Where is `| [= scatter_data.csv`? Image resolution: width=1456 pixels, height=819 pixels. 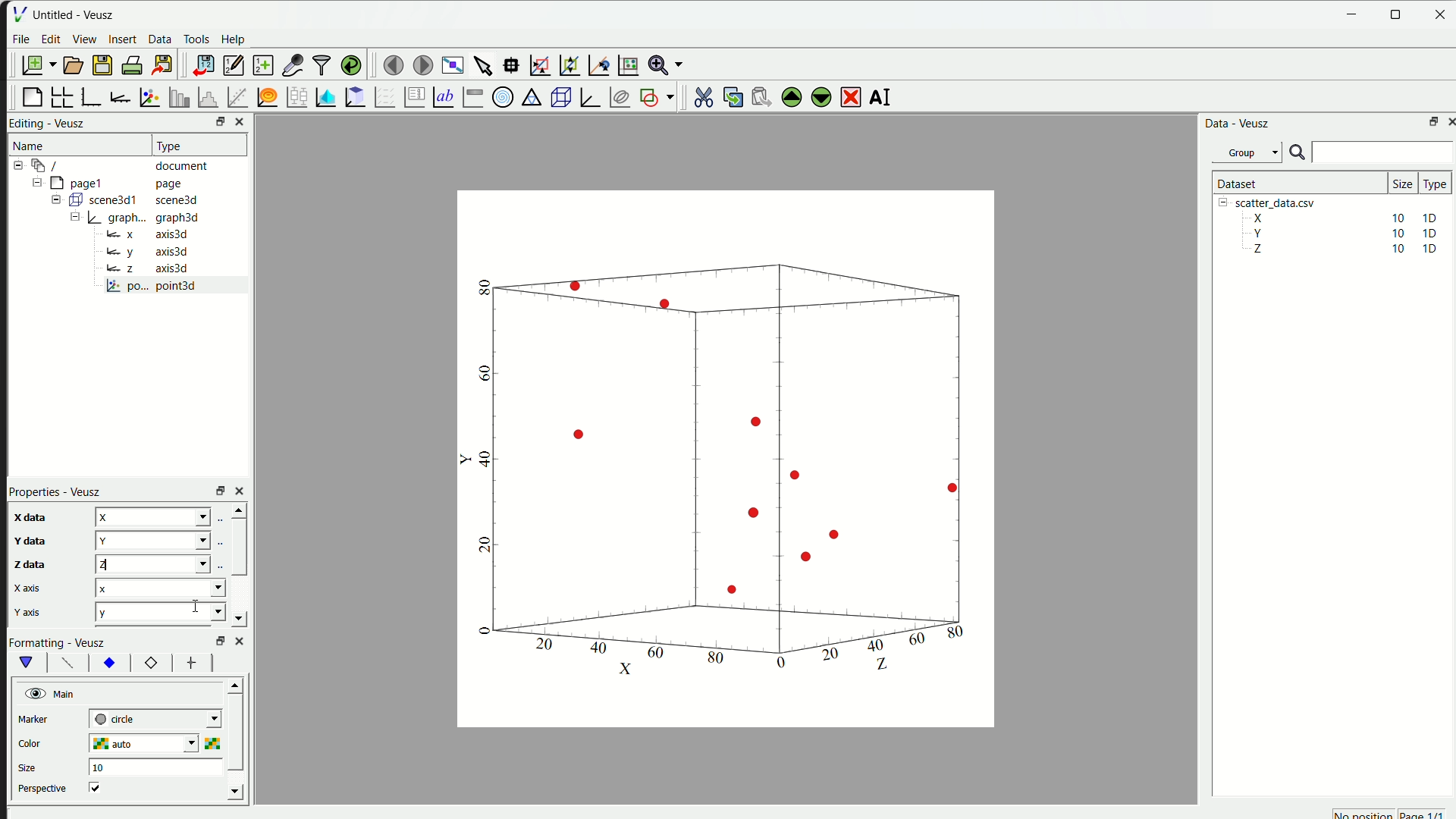 | [= scatter_data.csv is located at coordinates (1272, 202).